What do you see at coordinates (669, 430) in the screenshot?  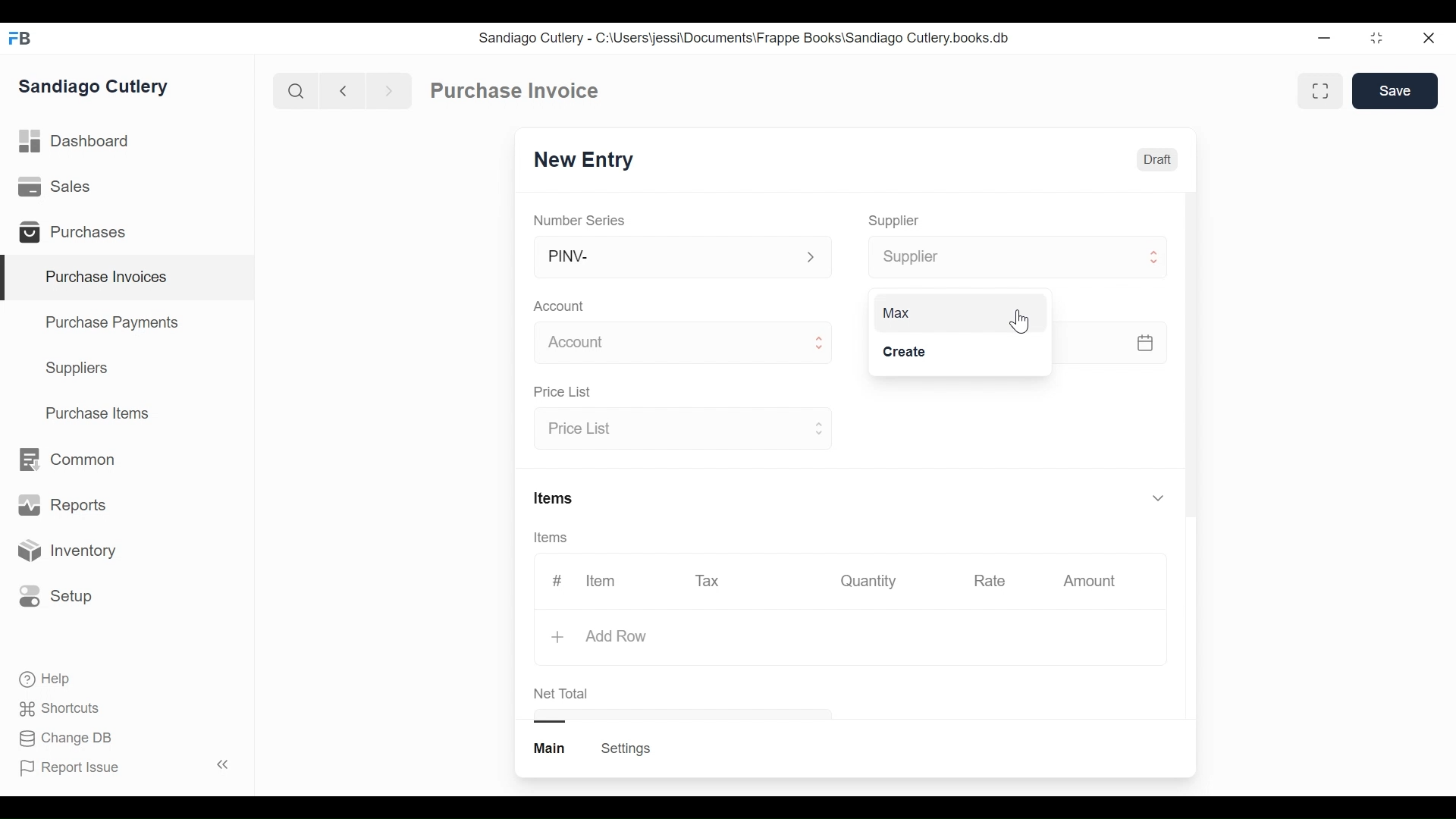 I see `Price List` at bounding box center [669, 430].